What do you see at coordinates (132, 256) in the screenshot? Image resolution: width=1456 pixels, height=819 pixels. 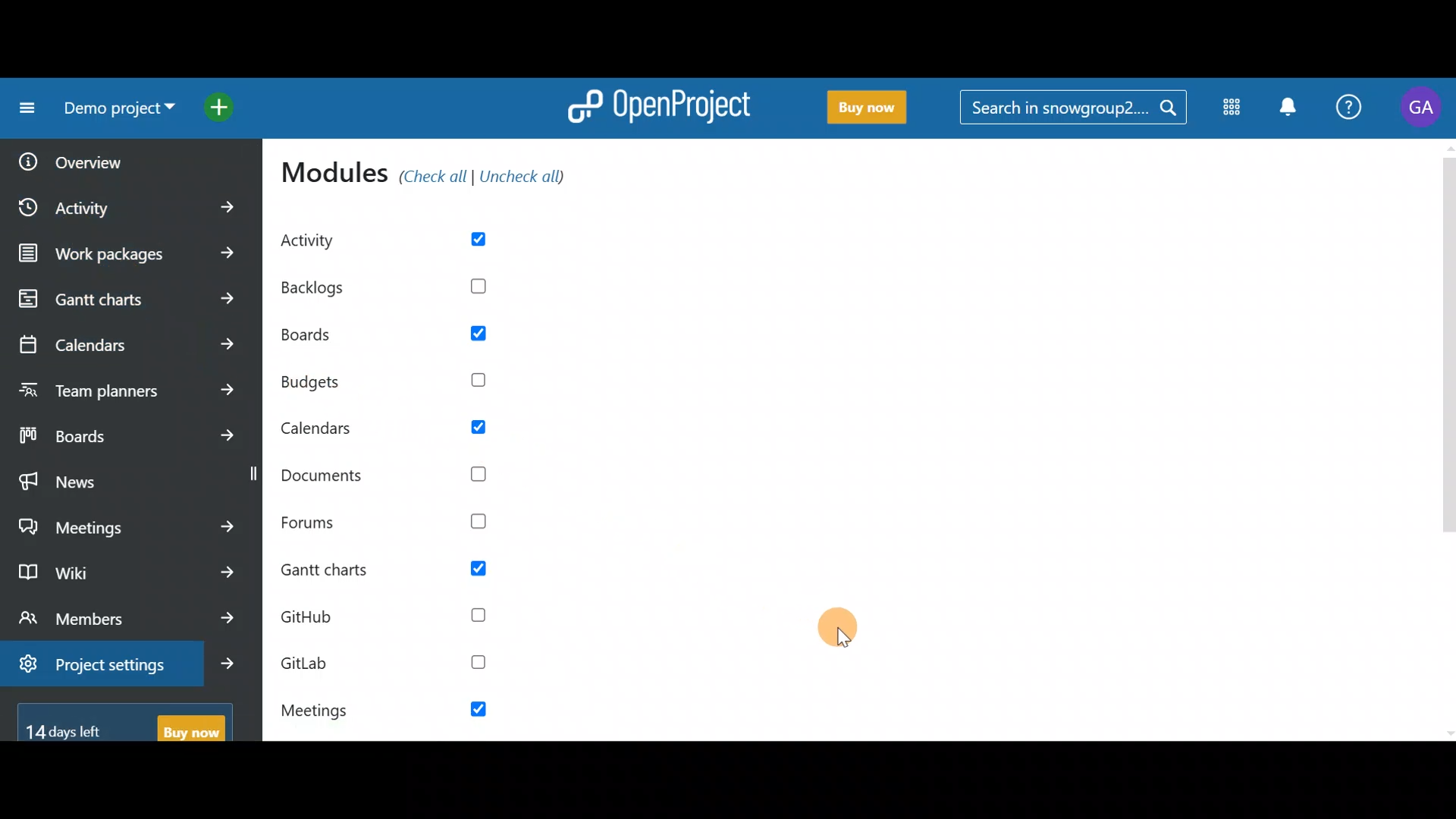 I see `work packages` at bounding box center [132, 256].